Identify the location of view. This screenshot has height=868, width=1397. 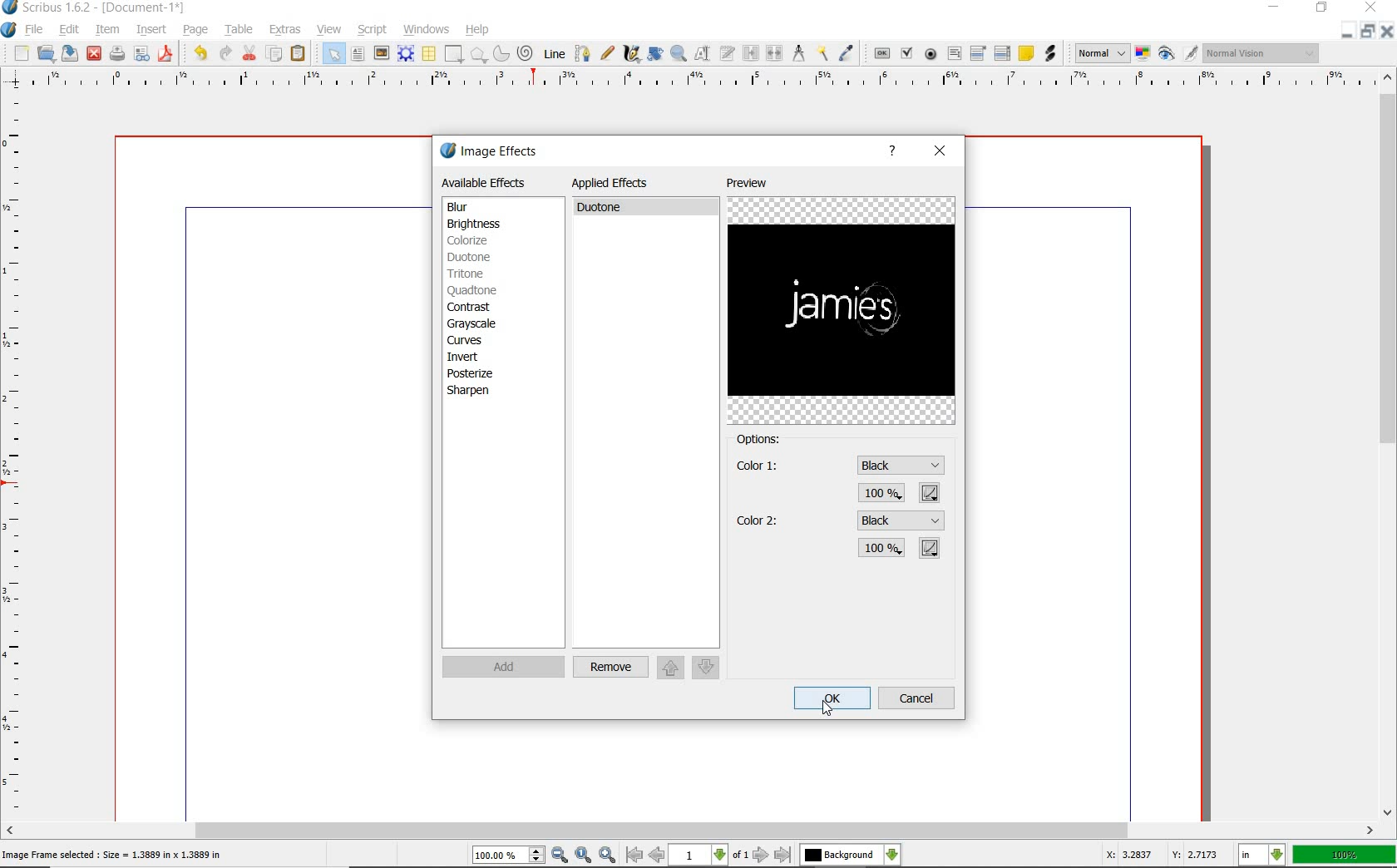
(329, 29).